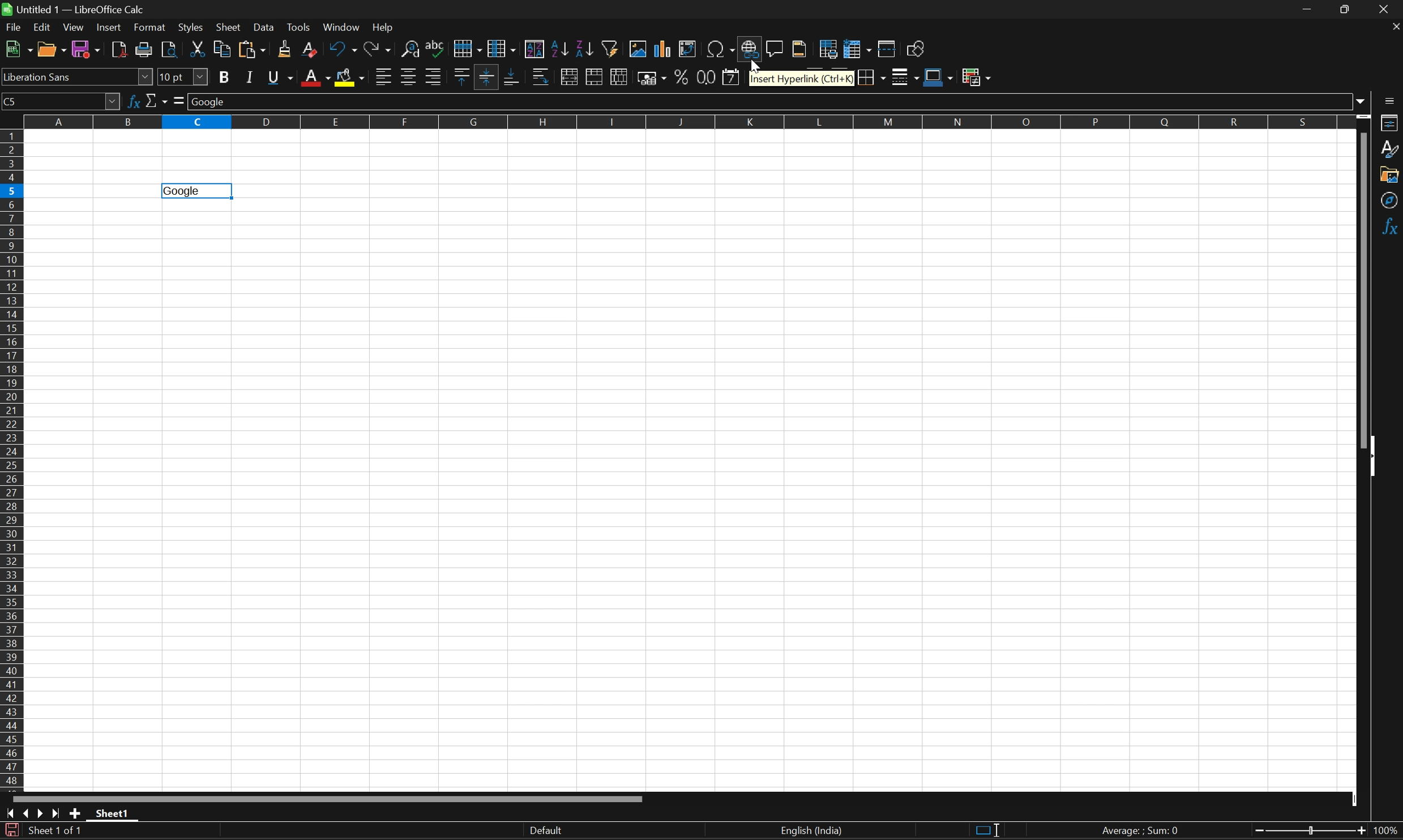 The height and width of the screenshot is (840, 1403). I want to click on Properties, so click(1391, 123).